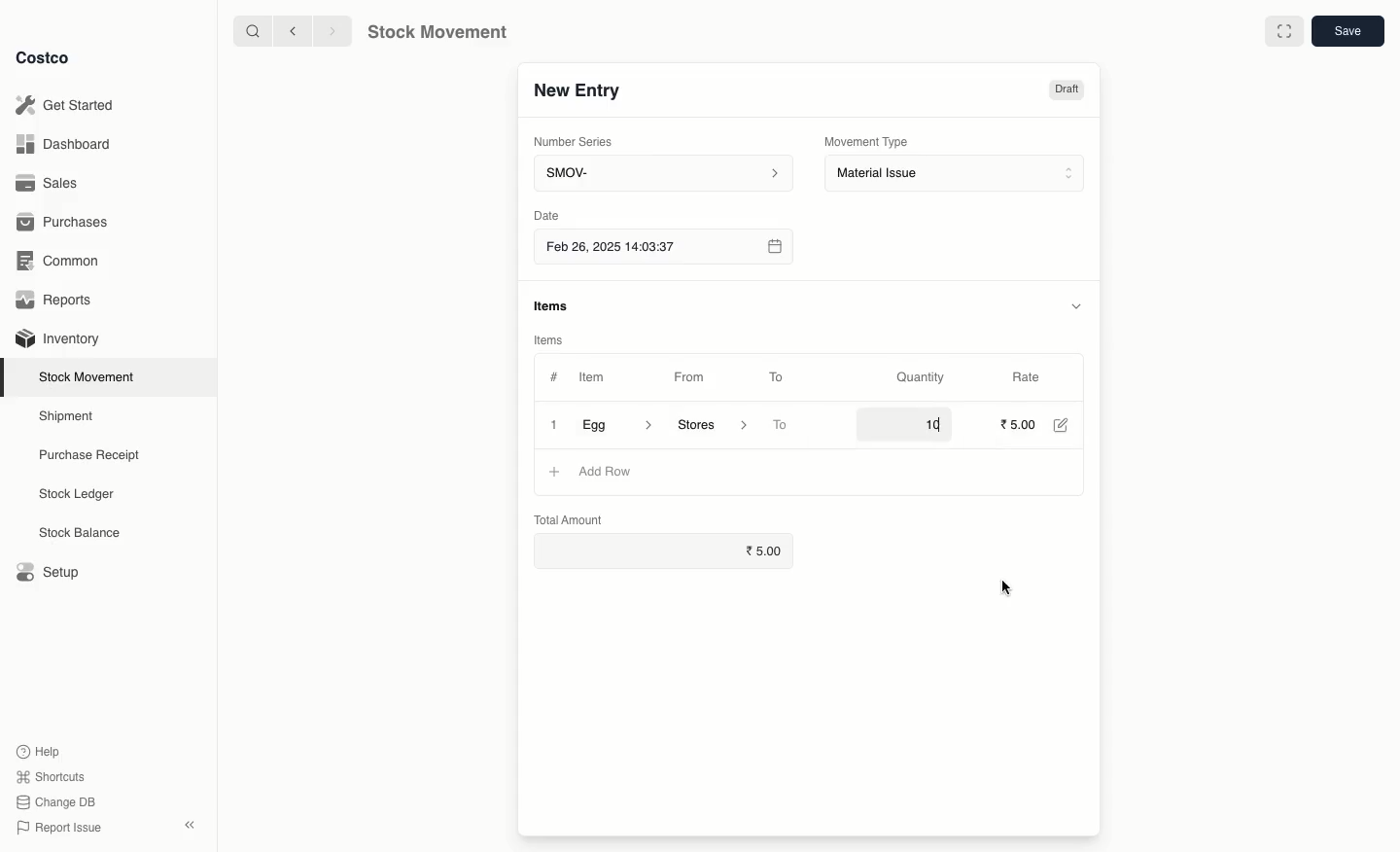 Image resolution: width=1400 pixels, height=852 pixels. Describe the element at coordinates (957, 174) in the screenshot. I see `Material Issue` at that location.